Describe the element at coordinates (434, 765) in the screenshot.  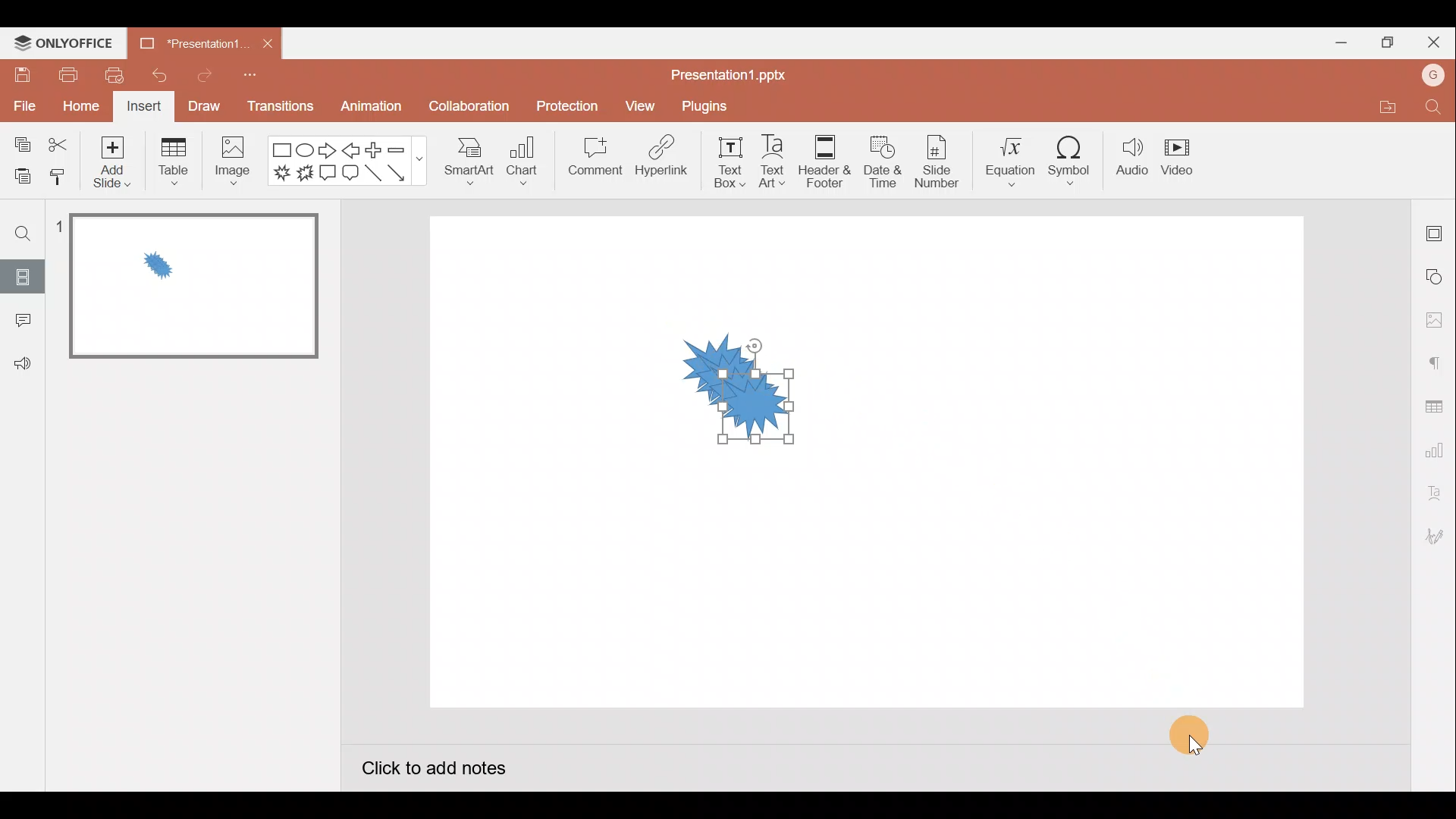
I see `Click to add notes` at that location.